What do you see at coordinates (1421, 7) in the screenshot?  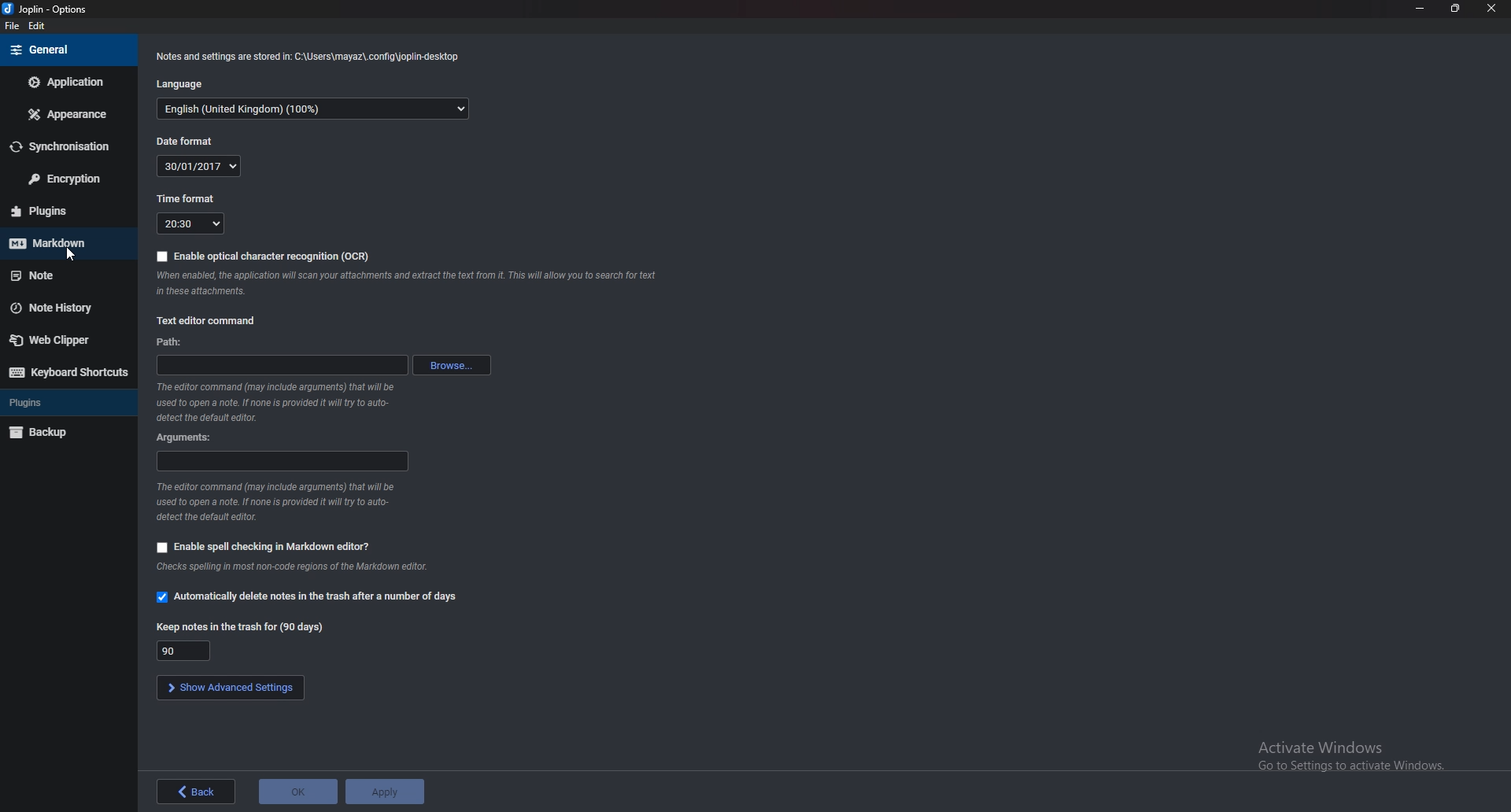 I see `minimize` at bounding box center [1421, 7].